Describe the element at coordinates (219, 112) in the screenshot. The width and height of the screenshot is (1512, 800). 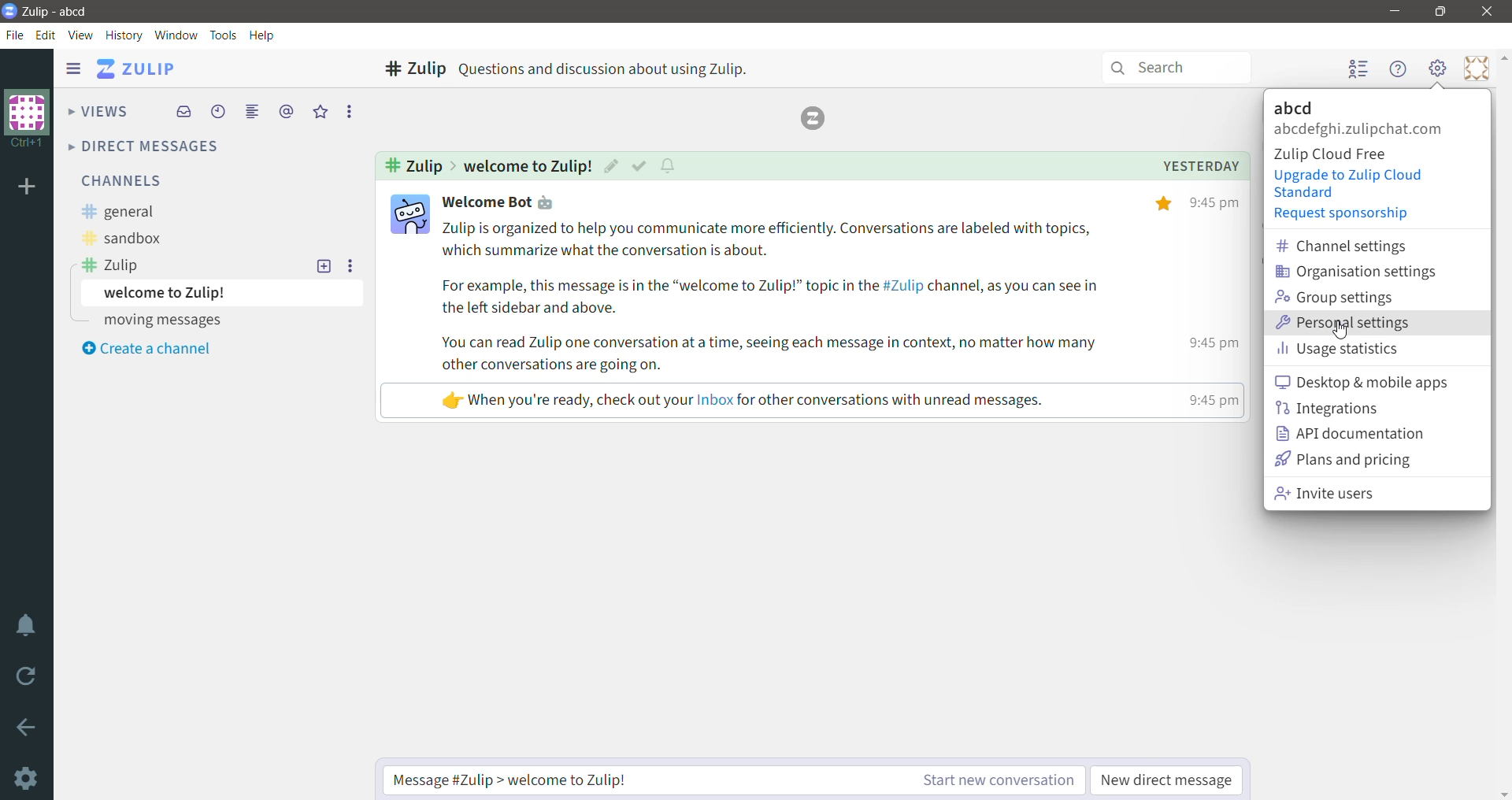
I see `Recent Conversations` at that location.